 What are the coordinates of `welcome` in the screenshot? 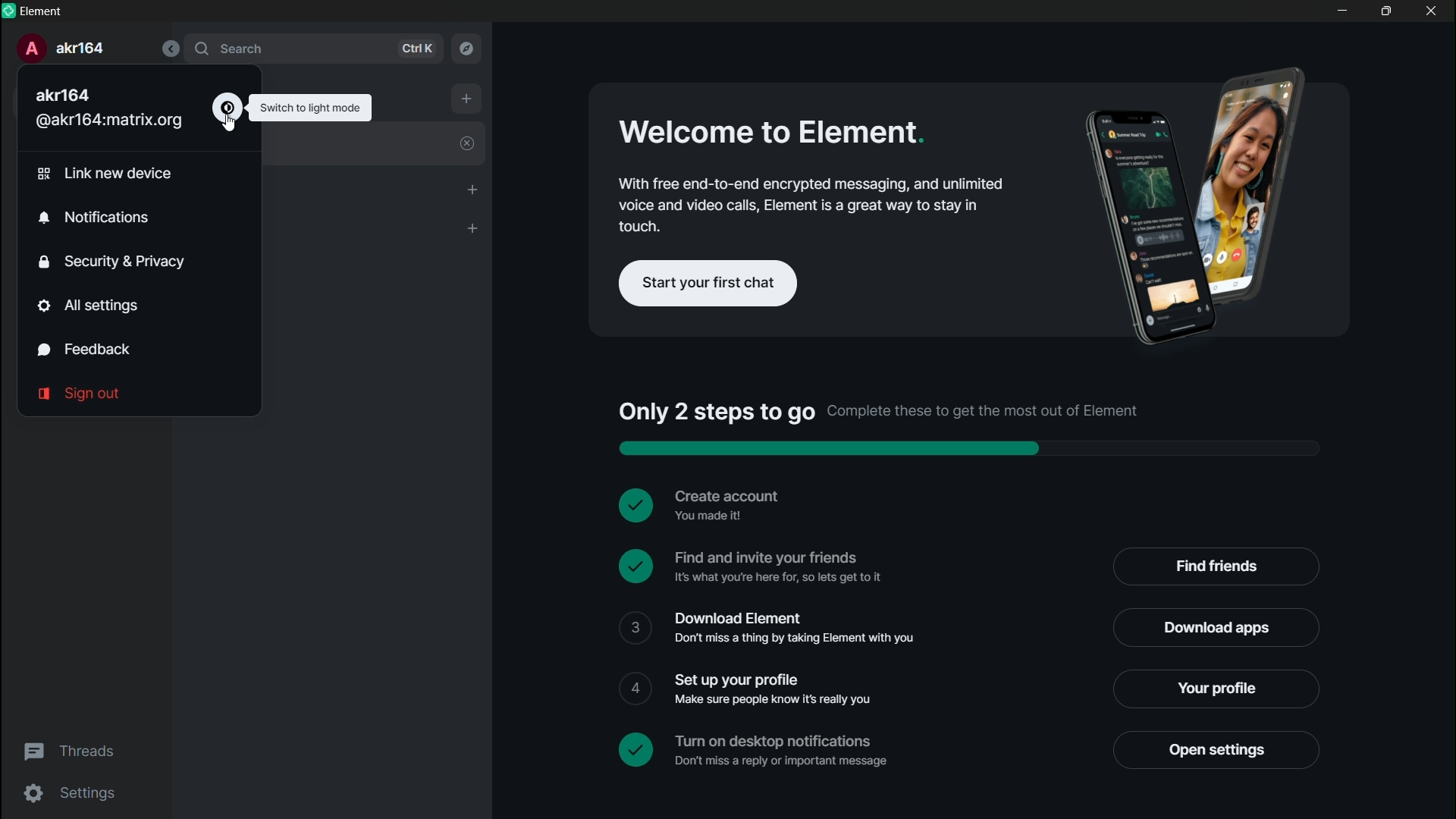 It's located at (353, 143).